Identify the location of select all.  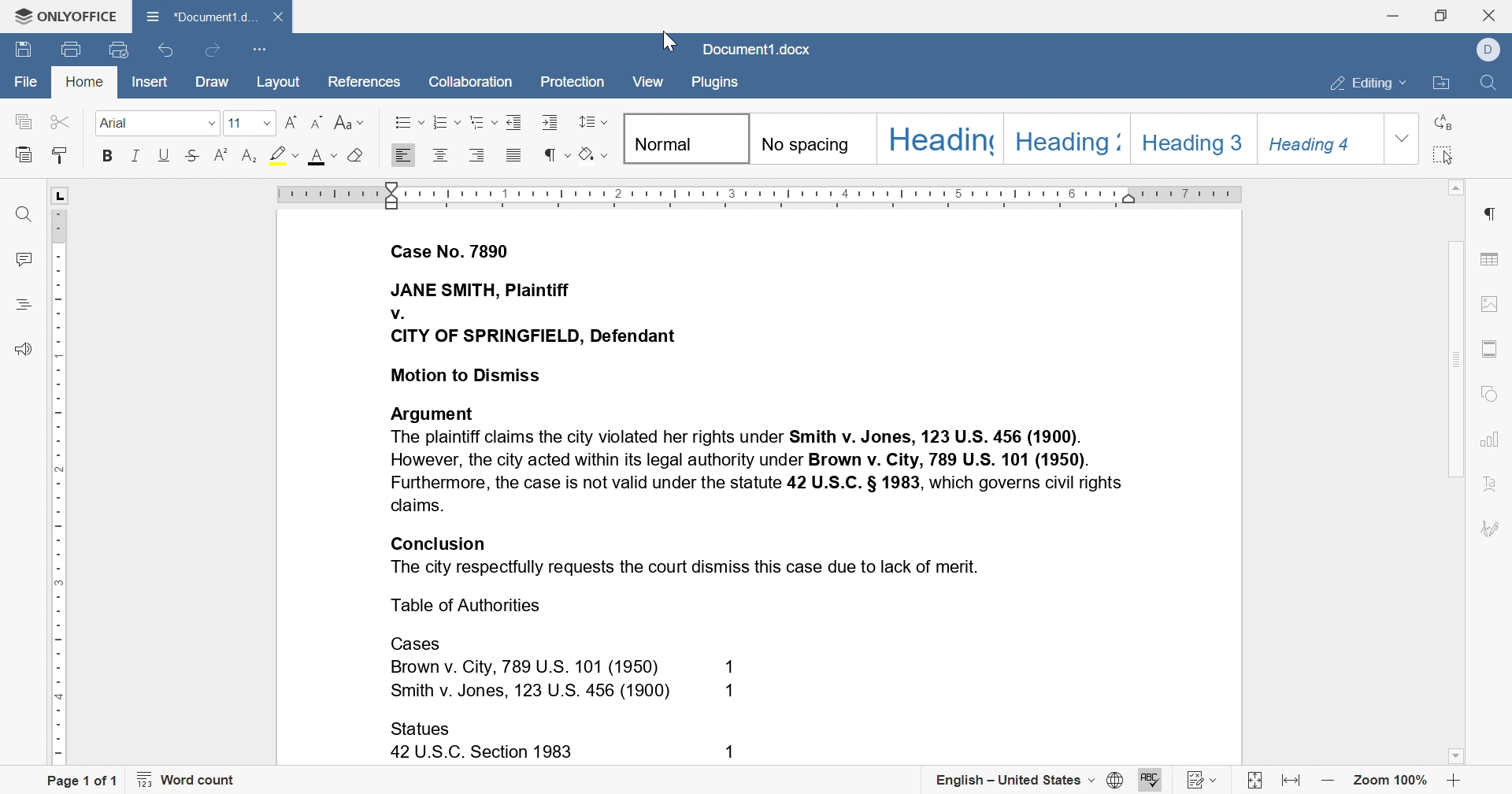
(1444, 154).